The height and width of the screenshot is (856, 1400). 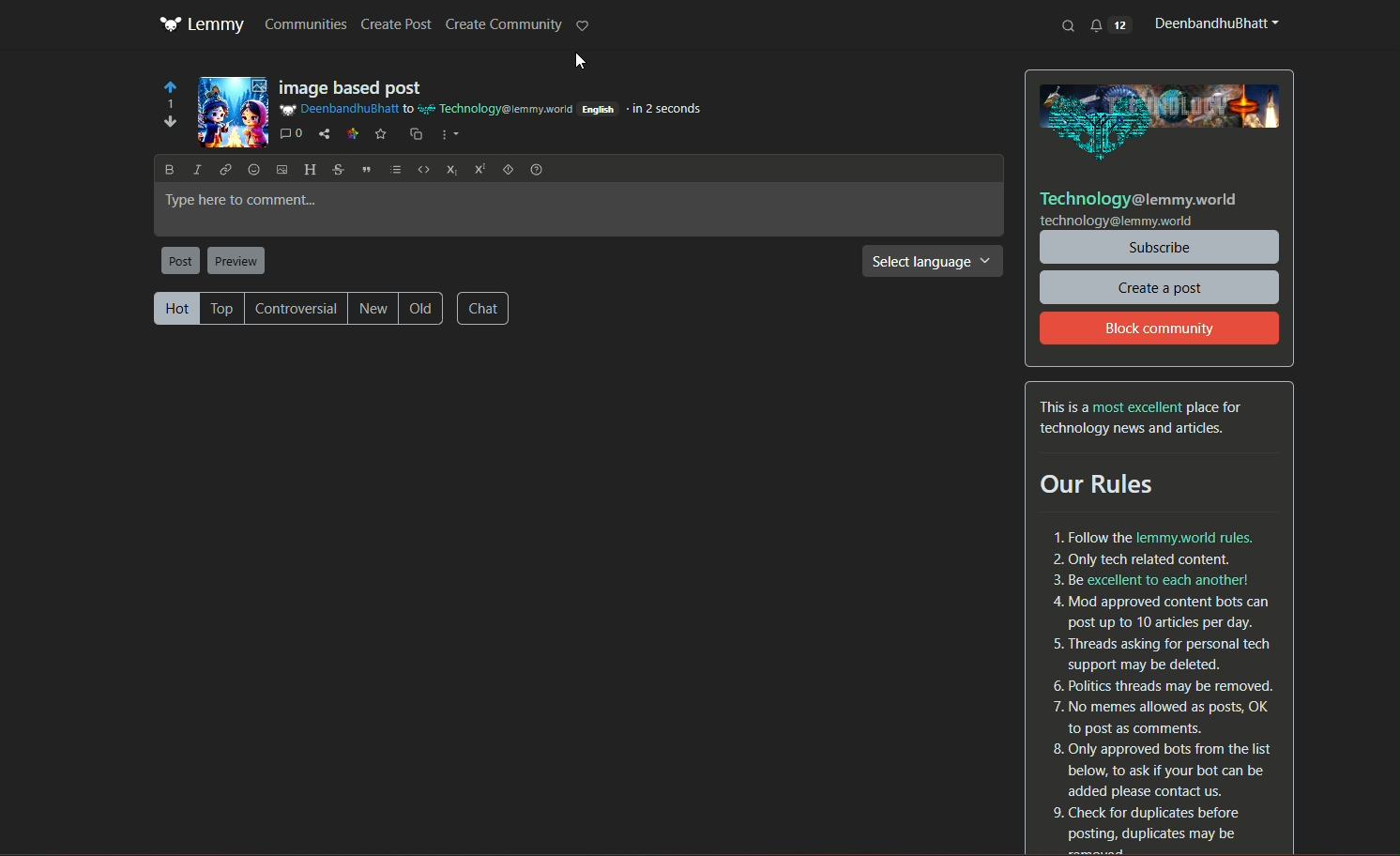 What do you see at coordinates (449, 135) in the screenshot?
I see `more` at bounding box center [449, 135].